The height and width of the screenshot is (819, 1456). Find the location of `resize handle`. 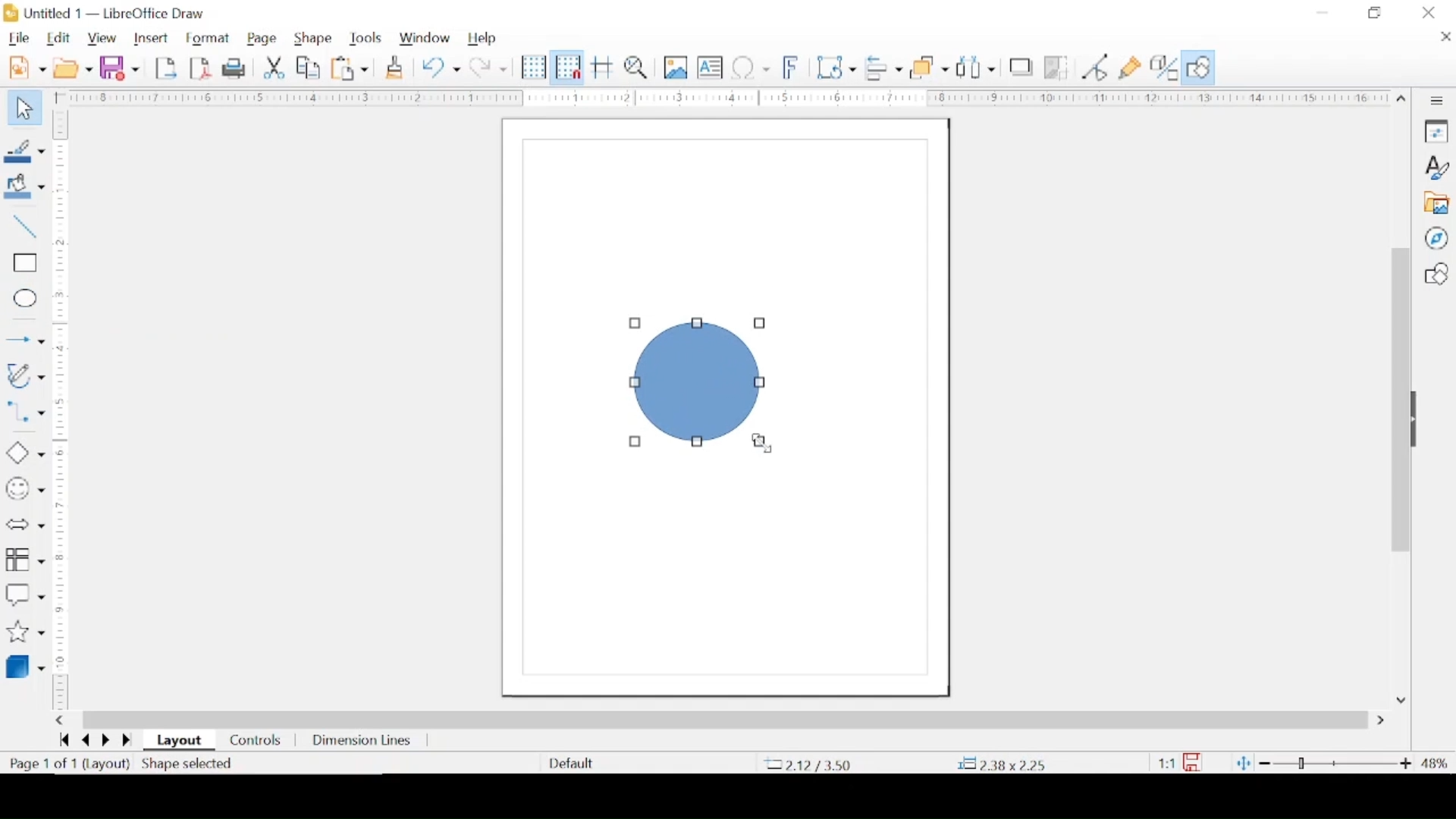

resize handle is located at coordinates (697, 442).